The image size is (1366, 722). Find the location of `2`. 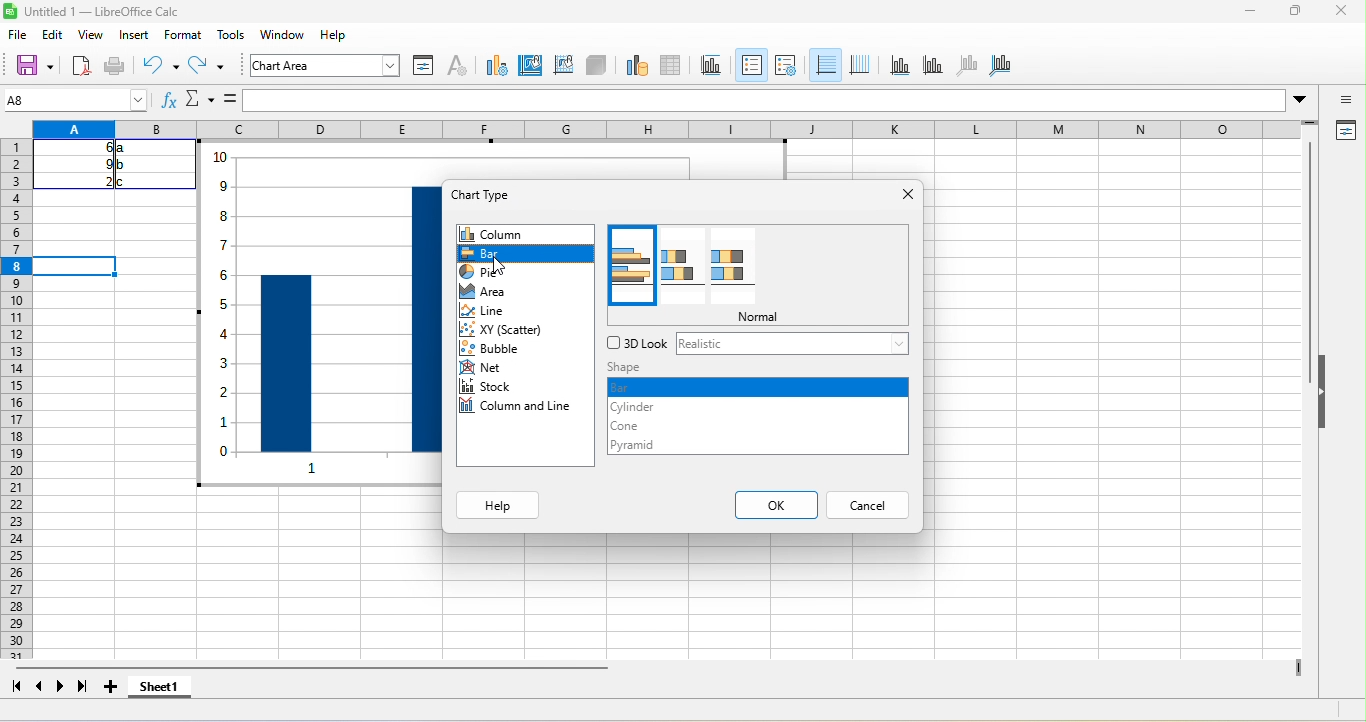

2 is located at coordinates (98, 181).